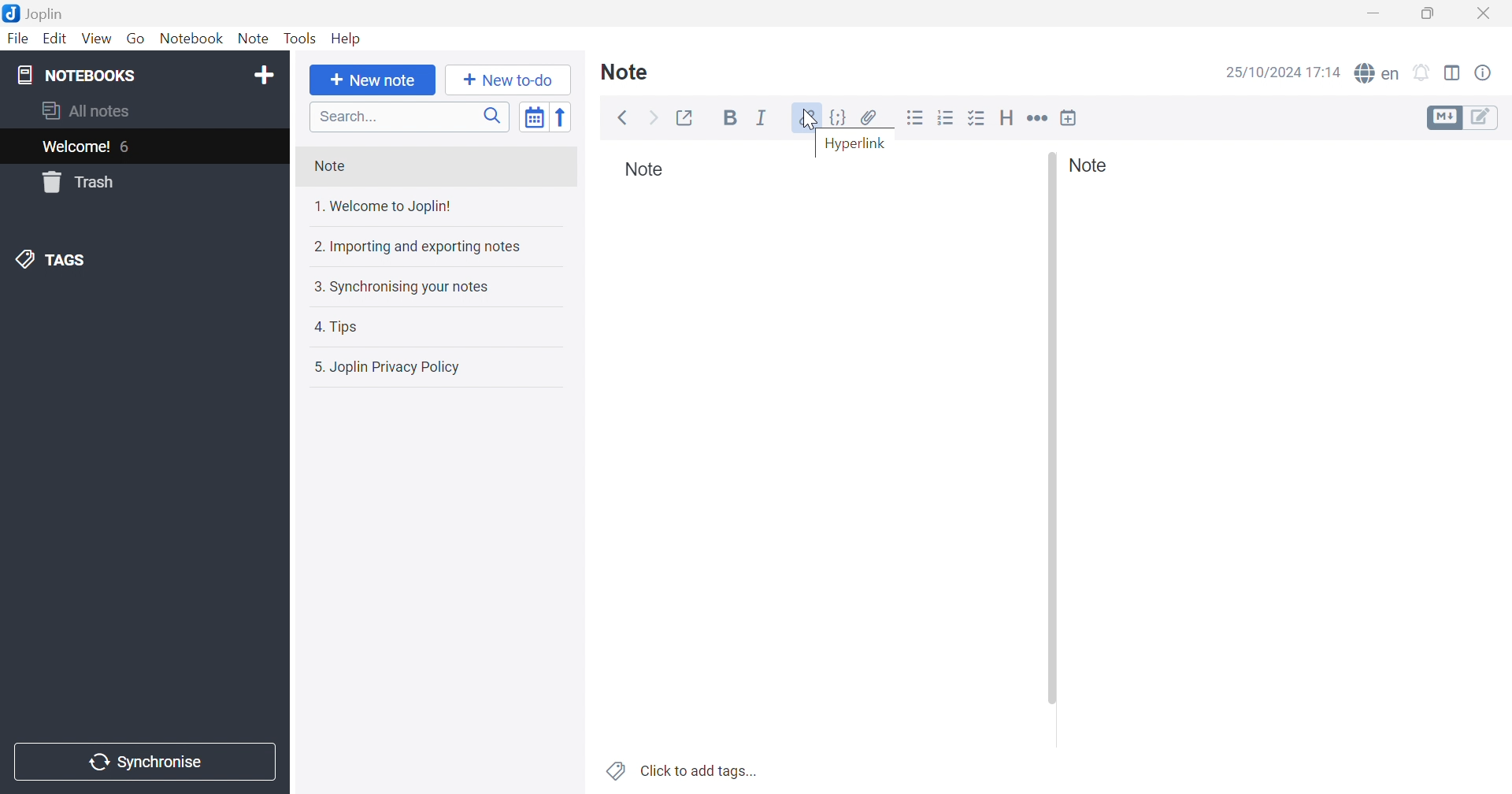  I want to click on Tags, so click(141, 260).